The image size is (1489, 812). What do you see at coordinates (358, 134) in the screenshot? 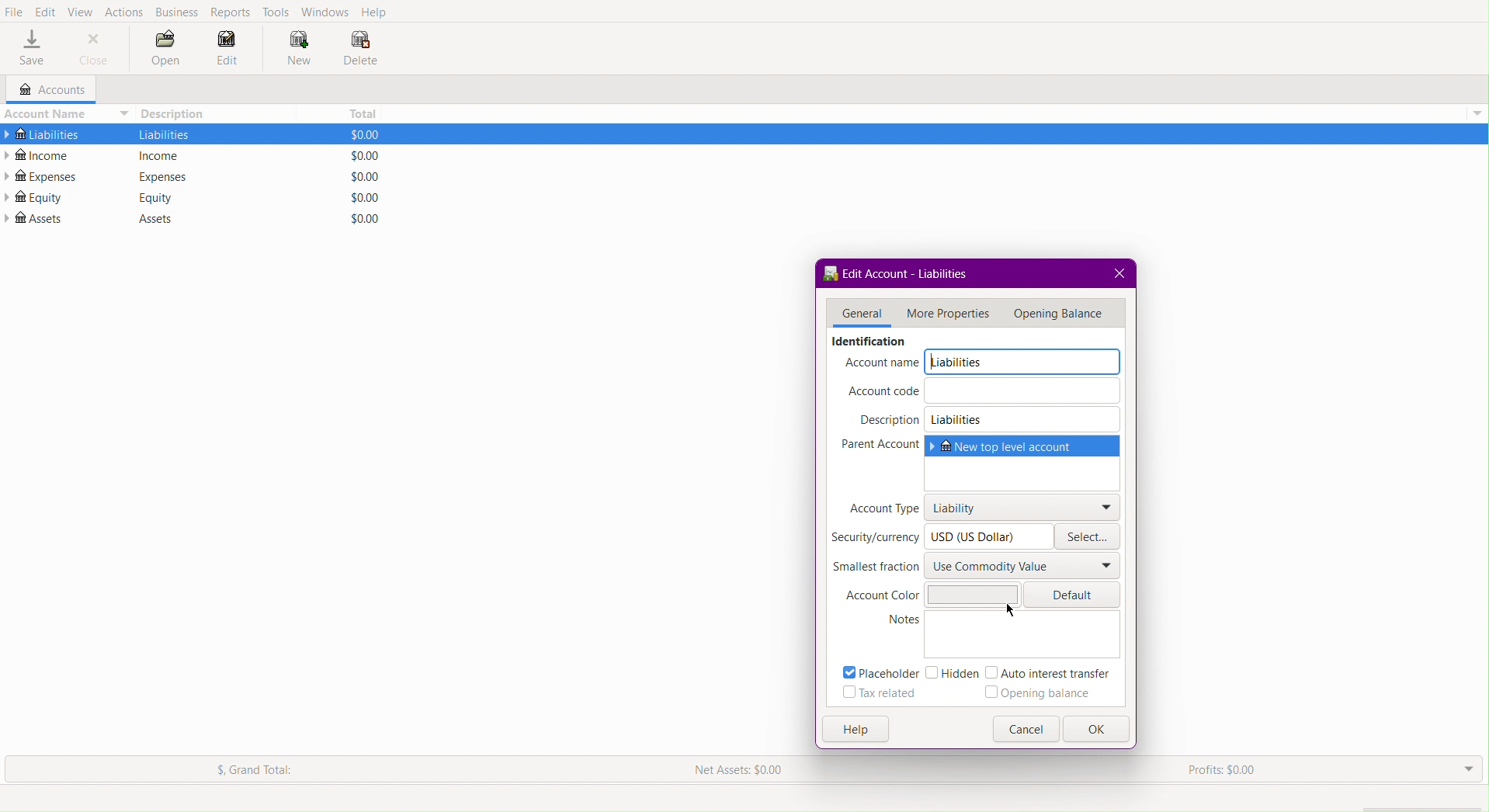
I see `$0.00` at bounding box center [358, 134].